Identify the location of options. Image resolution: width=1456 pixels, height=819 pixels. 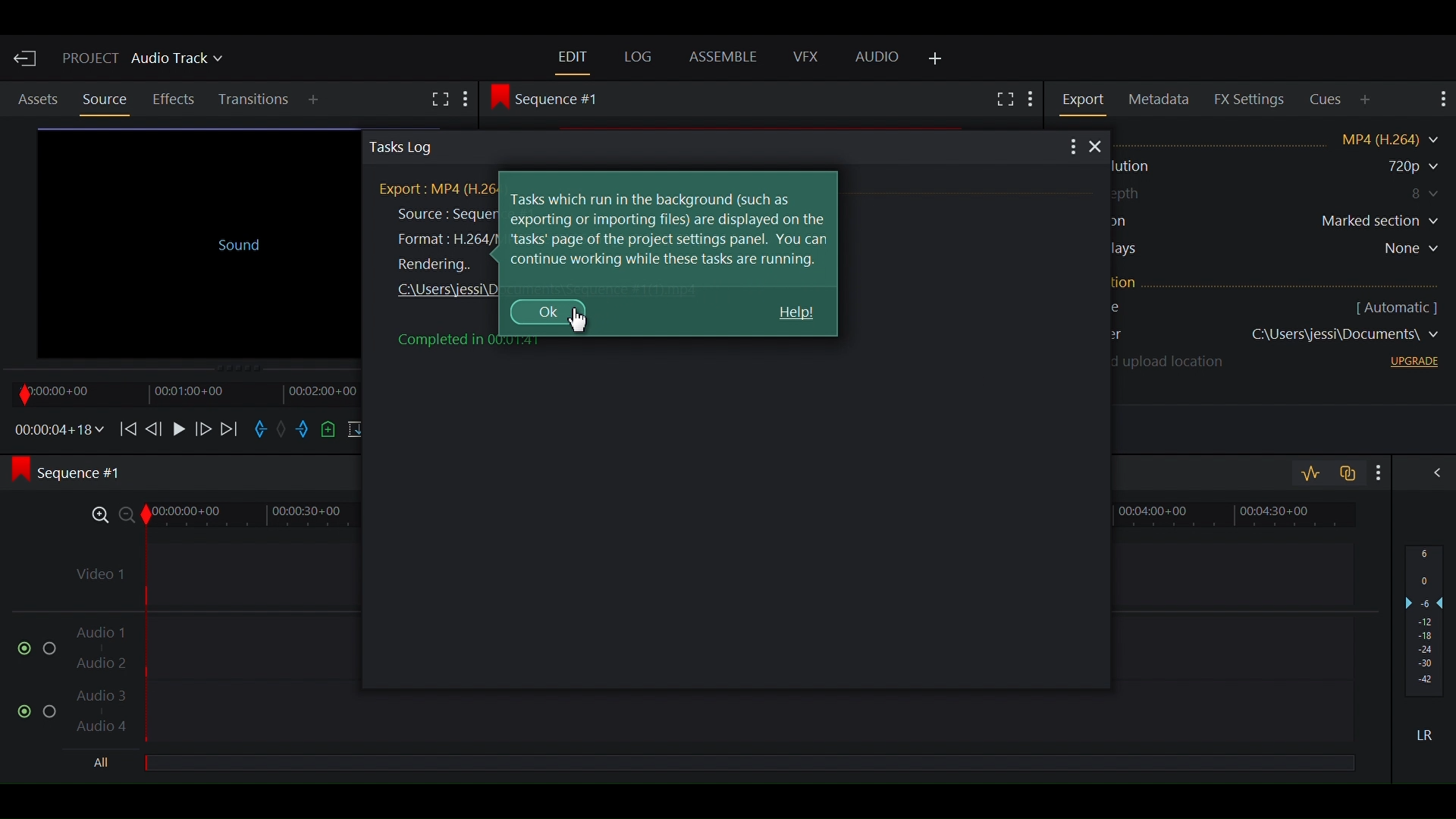
(1072, 148).